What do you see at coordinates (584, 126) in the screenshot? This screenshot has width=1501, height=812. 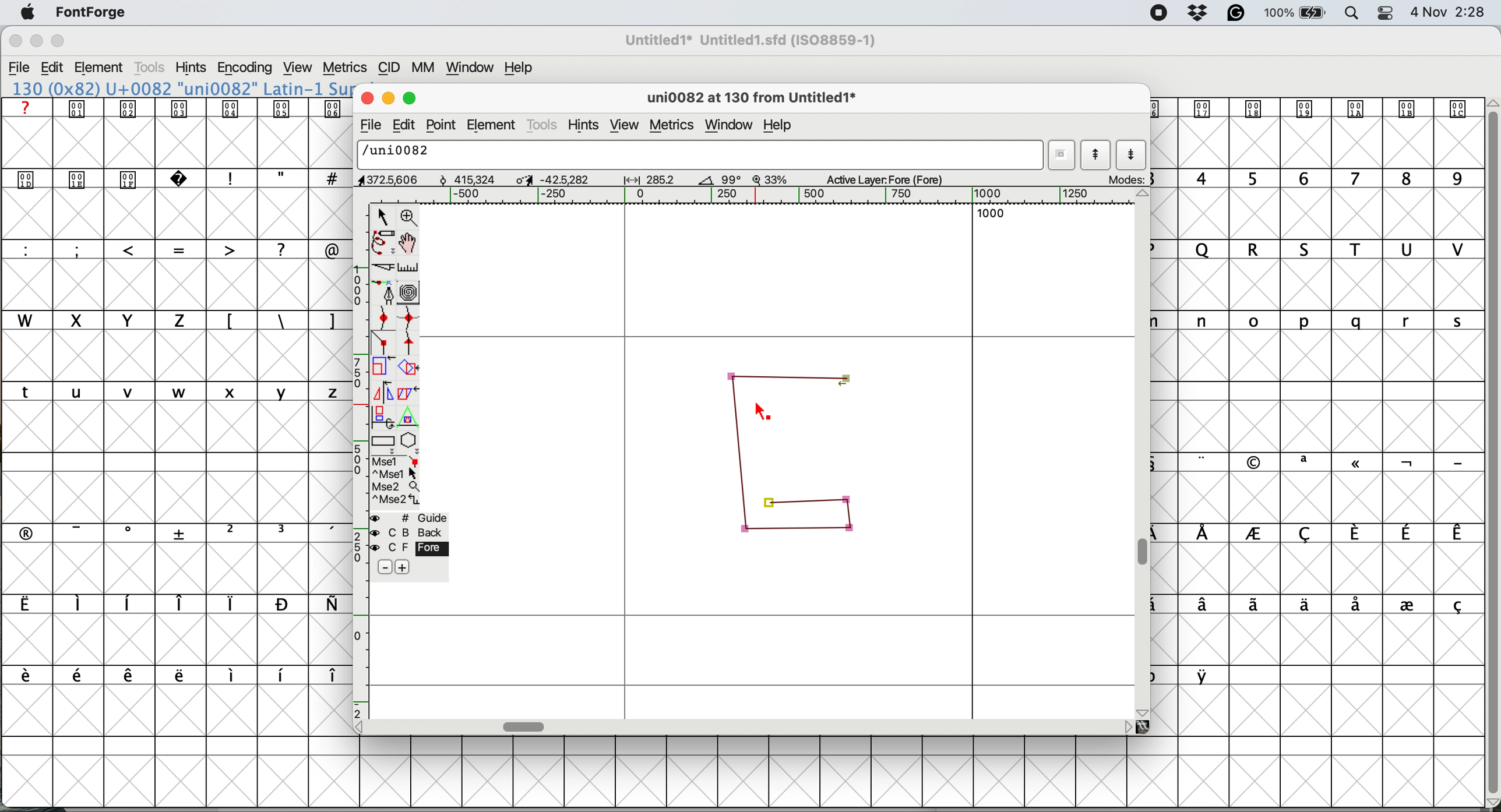 I see `hints` at bounding box center [584, 126].